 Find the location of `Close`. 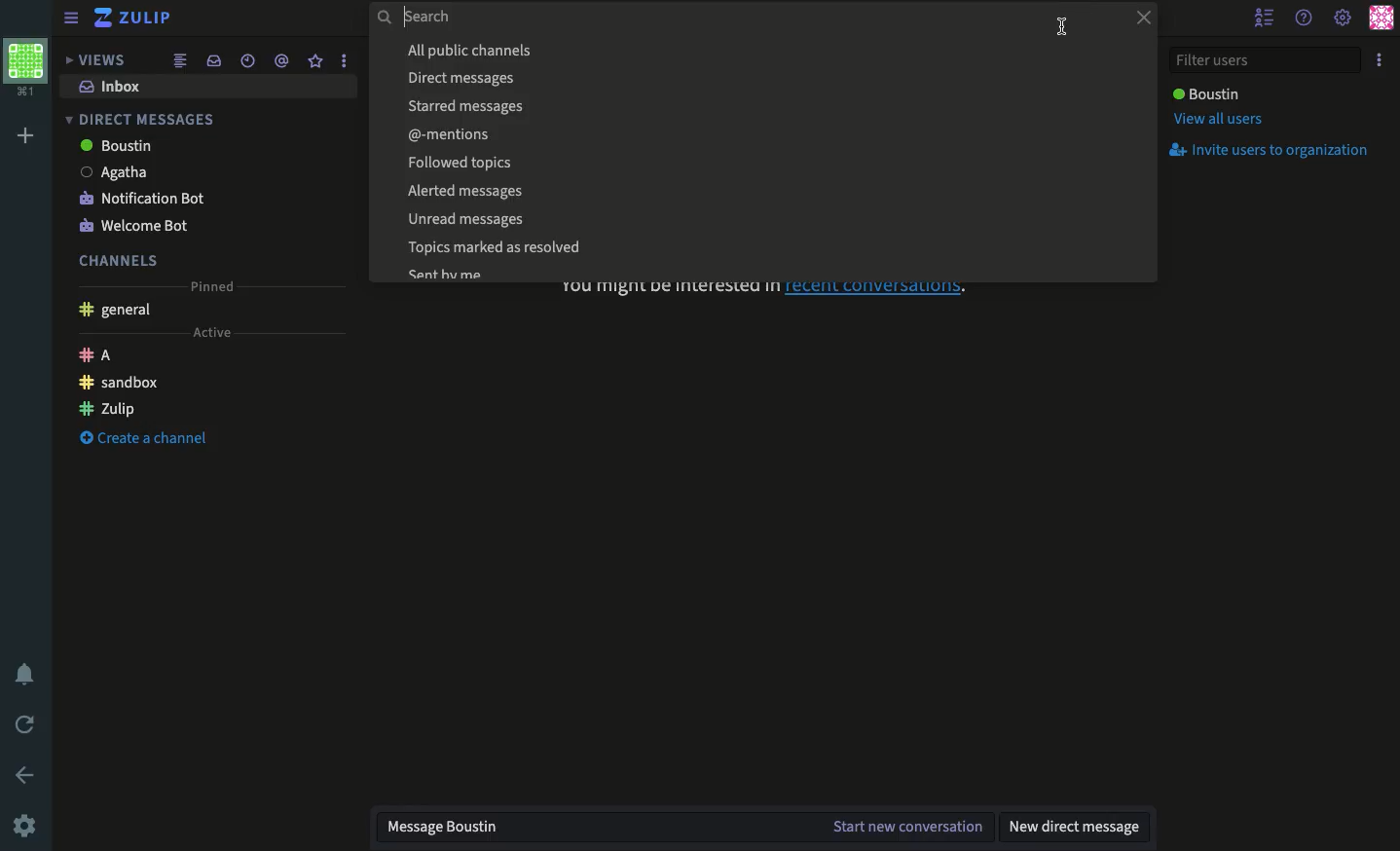

Close is located at coordinates (1137, 19).